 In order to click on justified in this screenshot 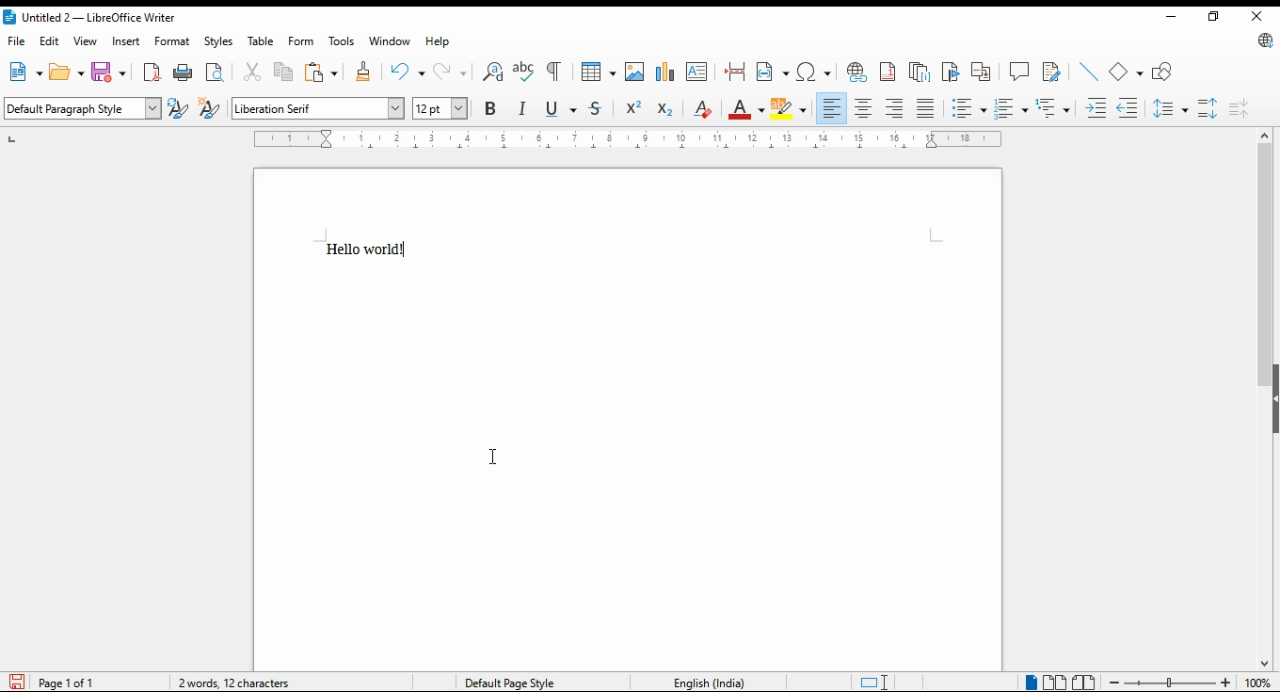, I will do `click(928, 109)`.